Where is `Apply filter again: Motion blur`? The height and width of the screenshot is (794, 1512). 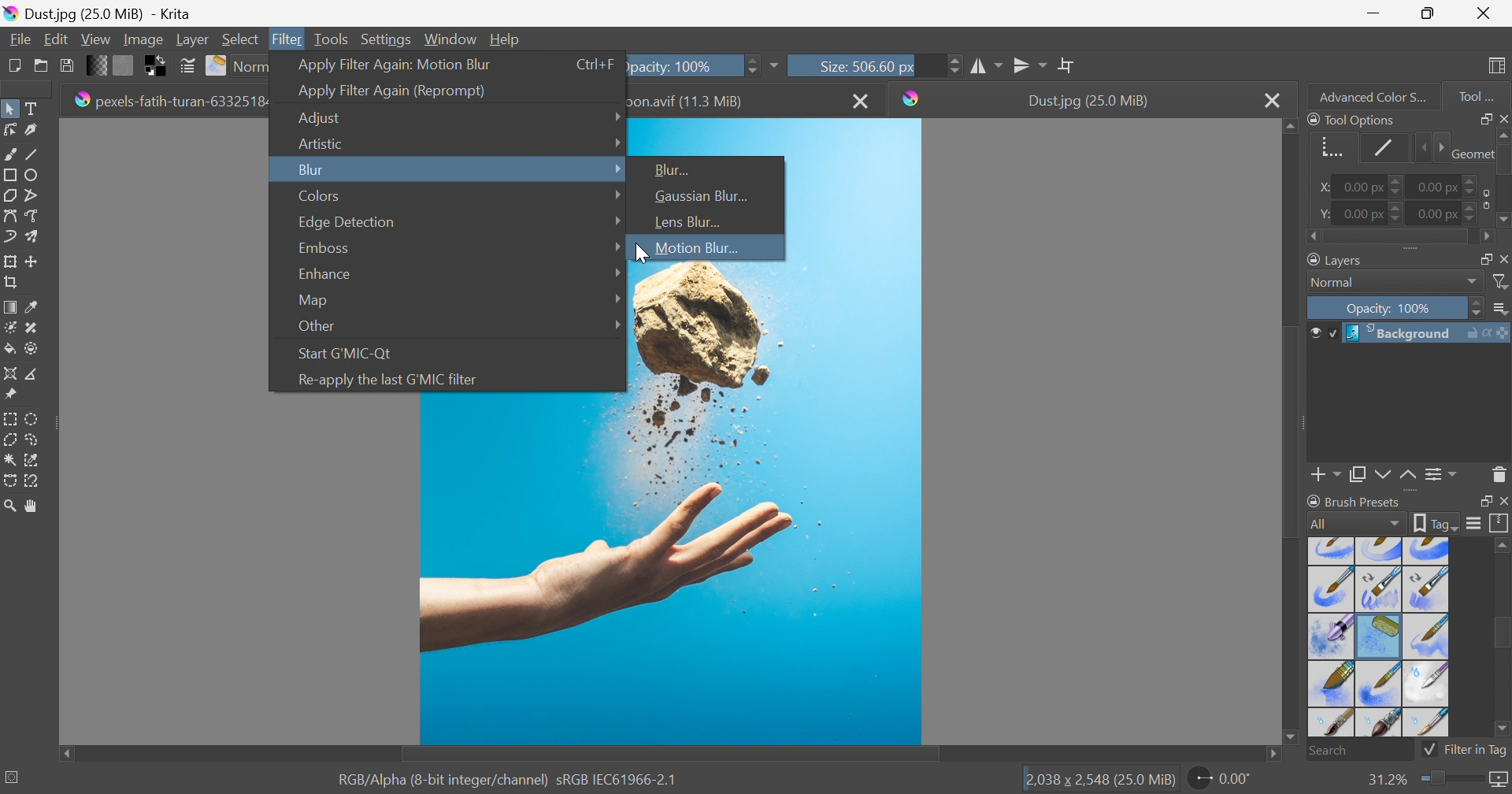
Apply filter again: Motion blur is located at coordinates (395, 63).